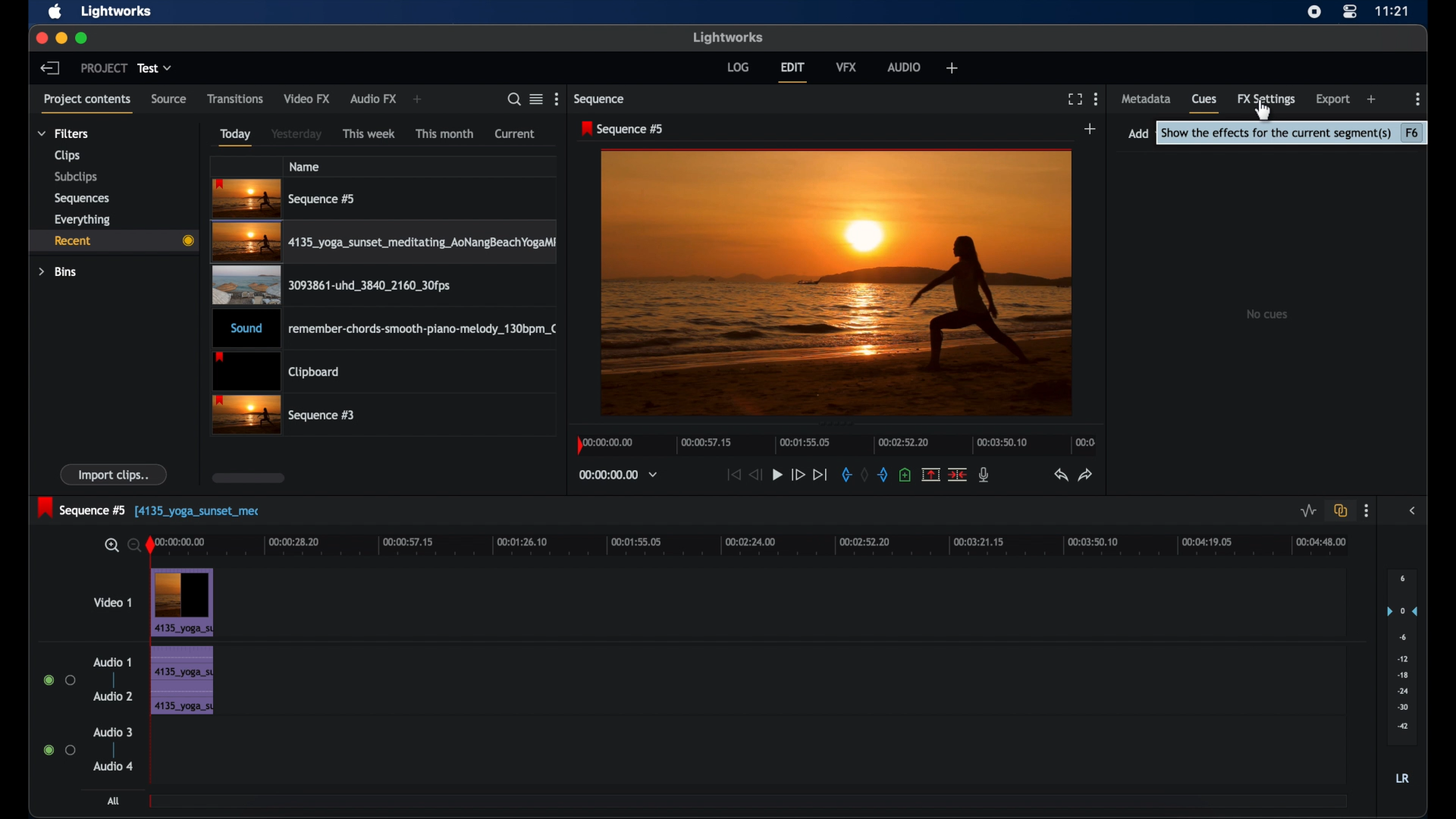 The image size is (1456, 819). I want to click on this week, so click(369, 134).